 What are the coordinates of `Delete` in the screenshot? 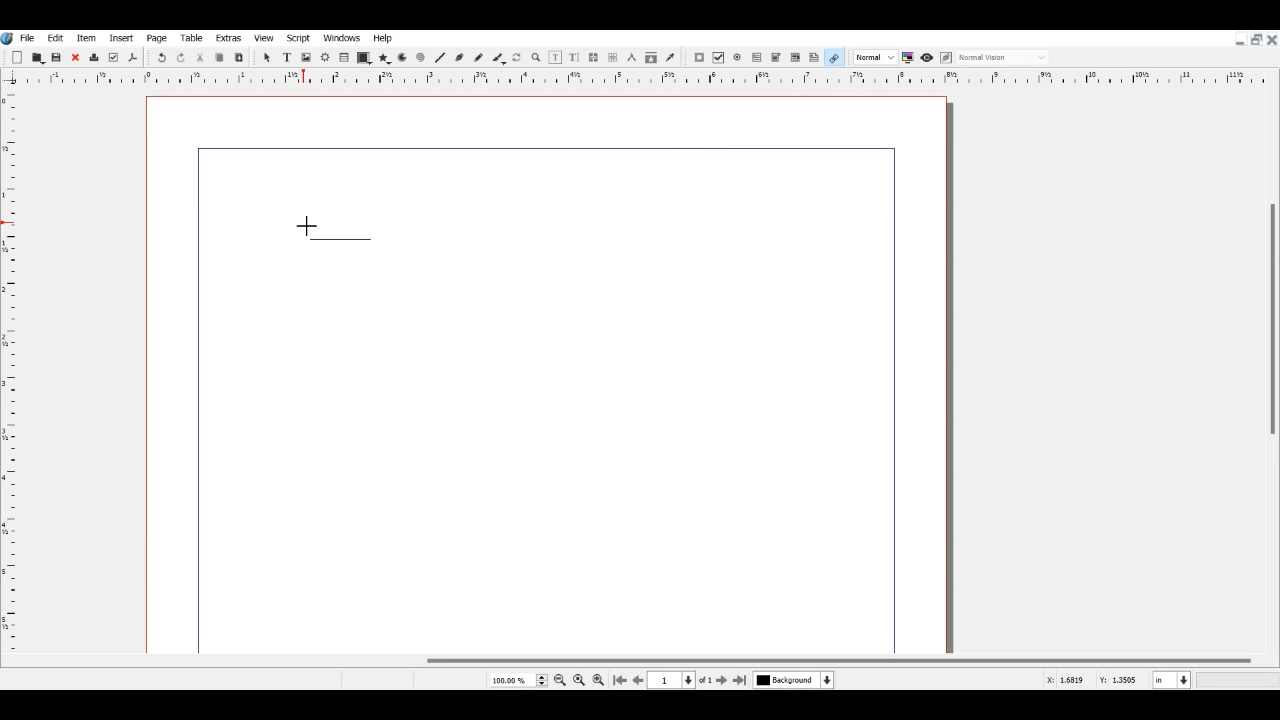 It's located at (93, 58).